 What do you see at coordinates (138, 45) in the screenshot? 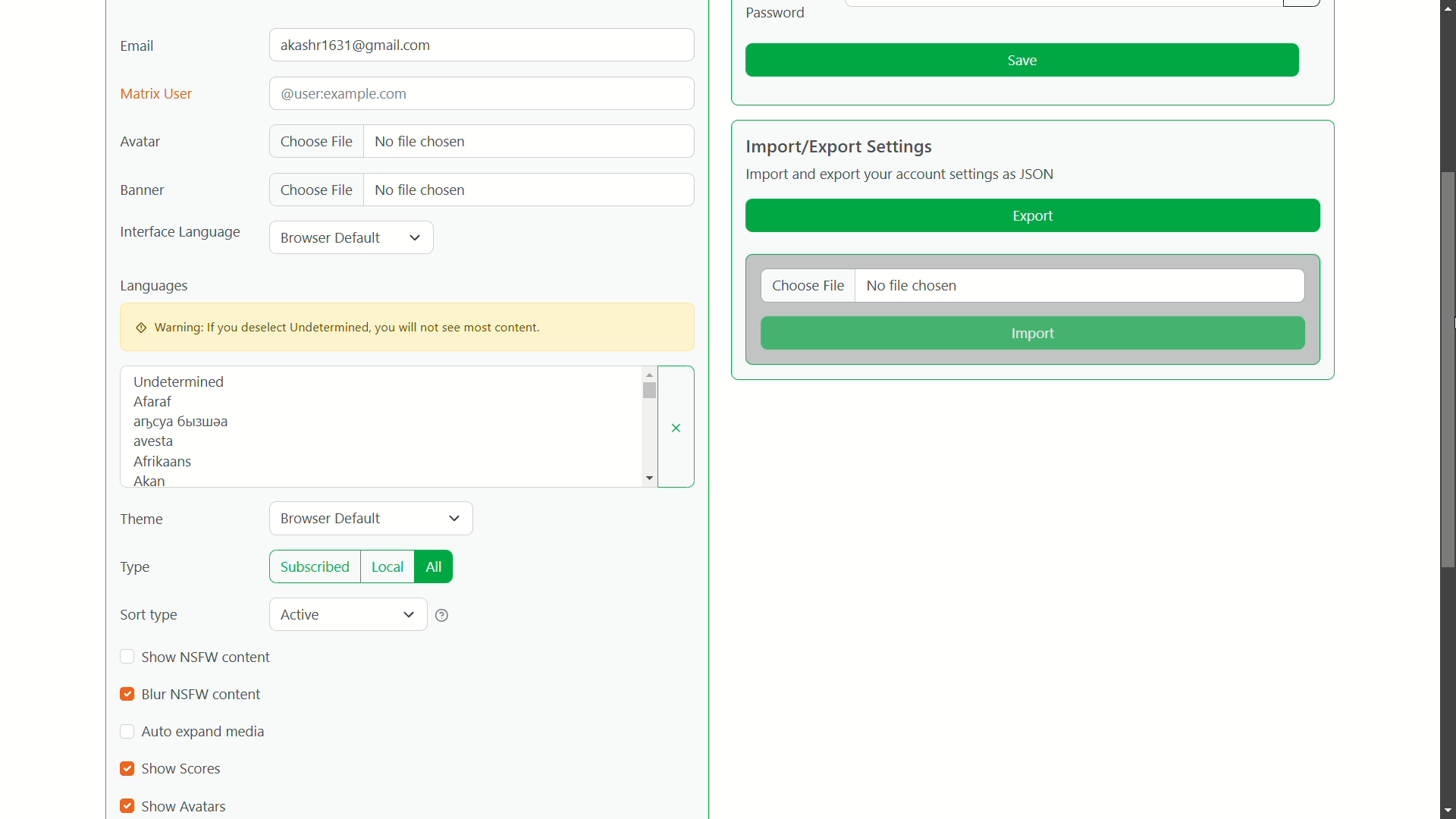
I see `email` at bounding box center [138, 45].